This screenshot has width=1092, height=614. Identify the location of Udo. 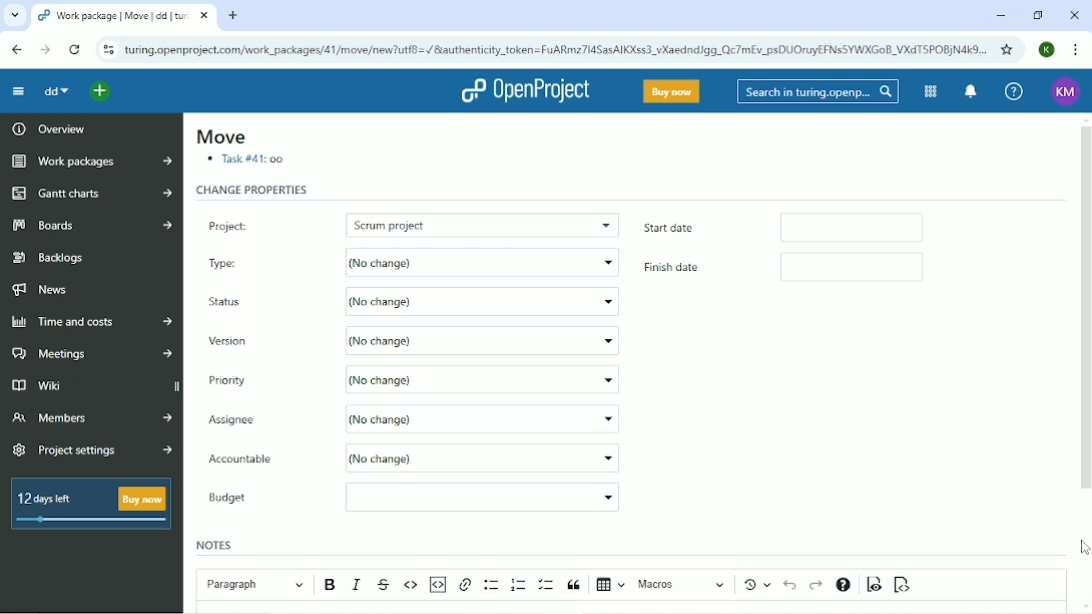
(792, 583).